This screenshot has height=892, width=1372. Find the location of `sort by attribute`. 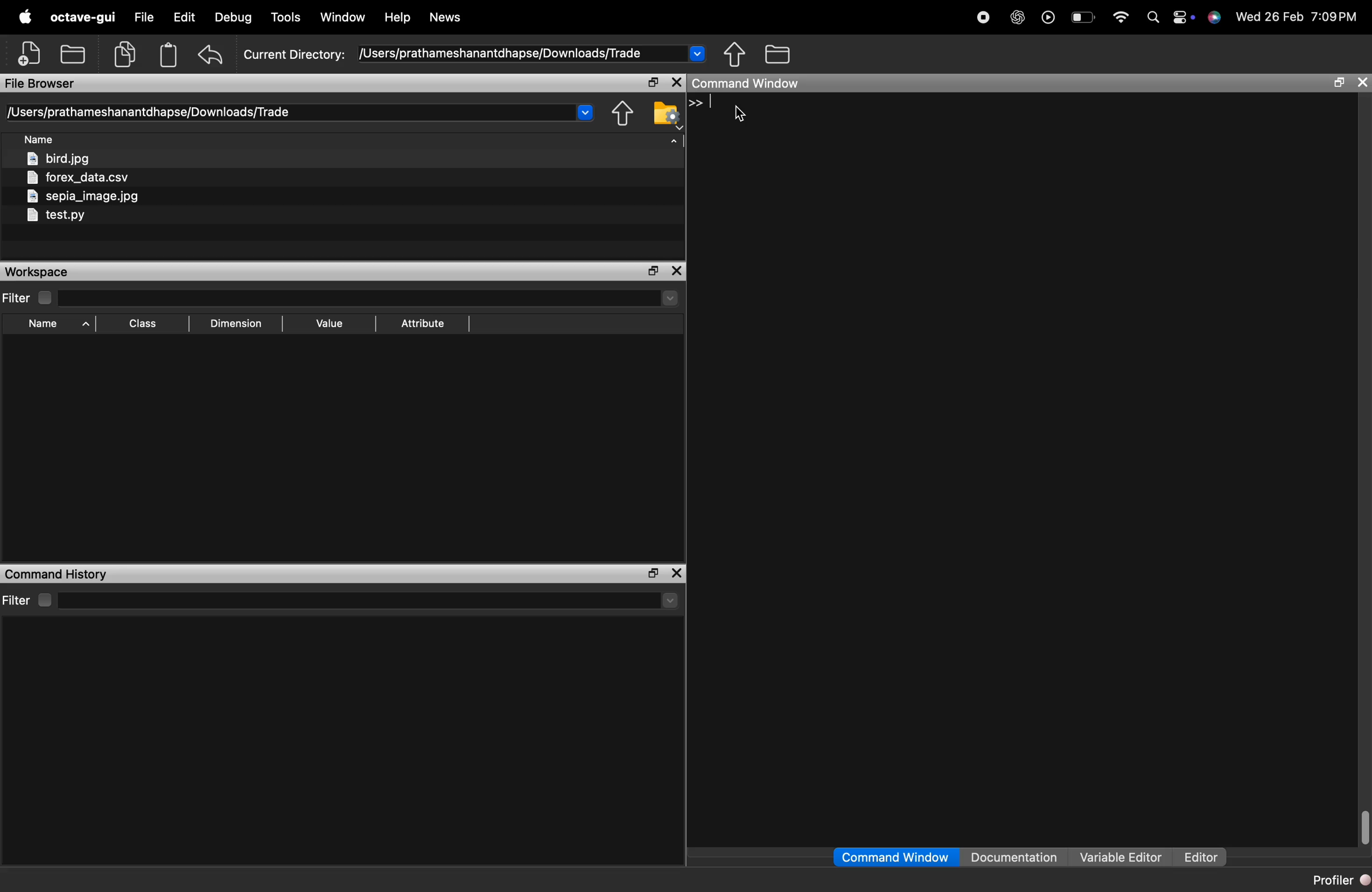

sort by attribute is located at coordinates (425, 323).